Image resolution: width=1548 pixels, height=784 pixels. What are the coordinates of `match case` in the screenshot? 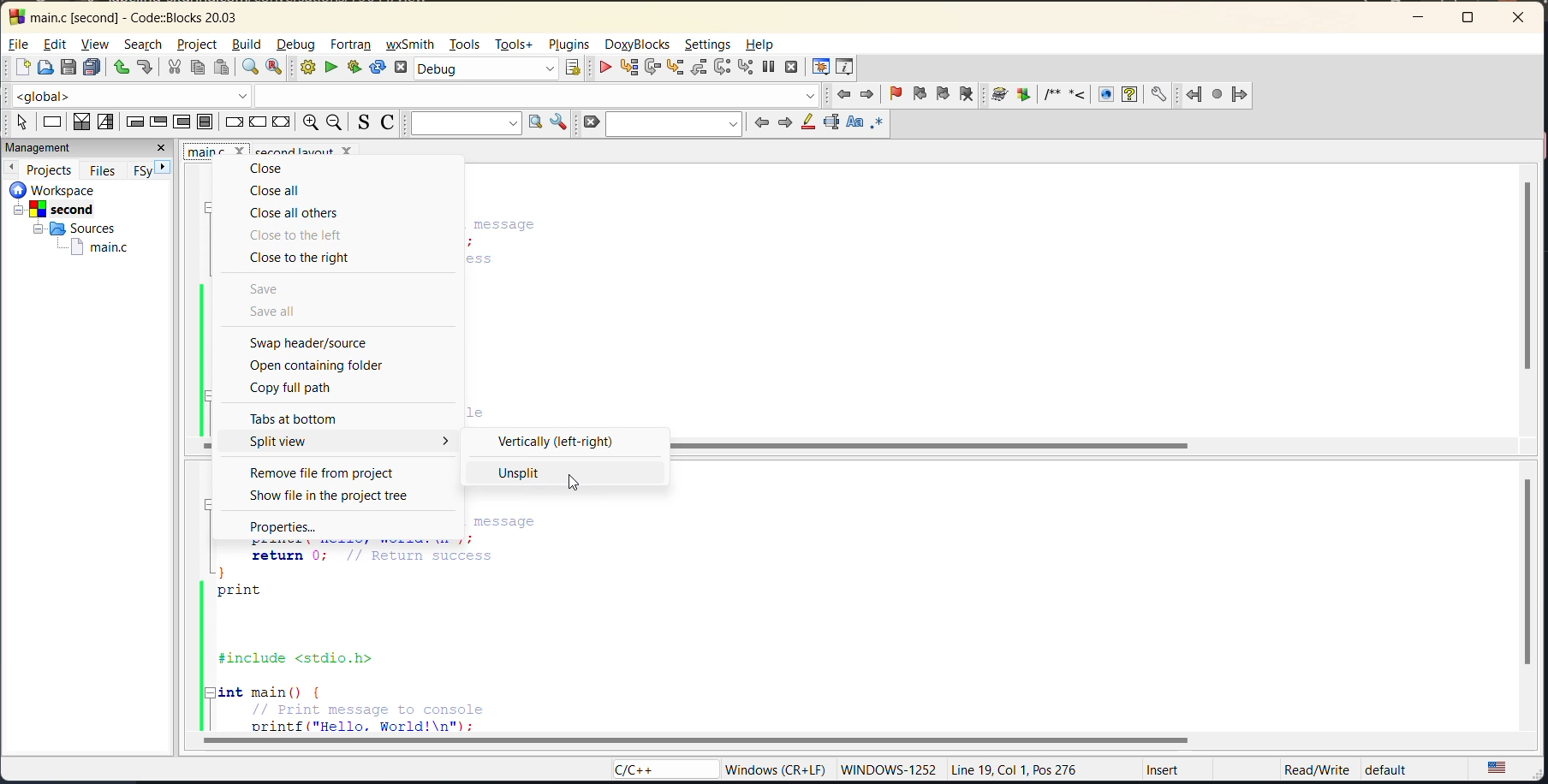 It's located at (854, 122).